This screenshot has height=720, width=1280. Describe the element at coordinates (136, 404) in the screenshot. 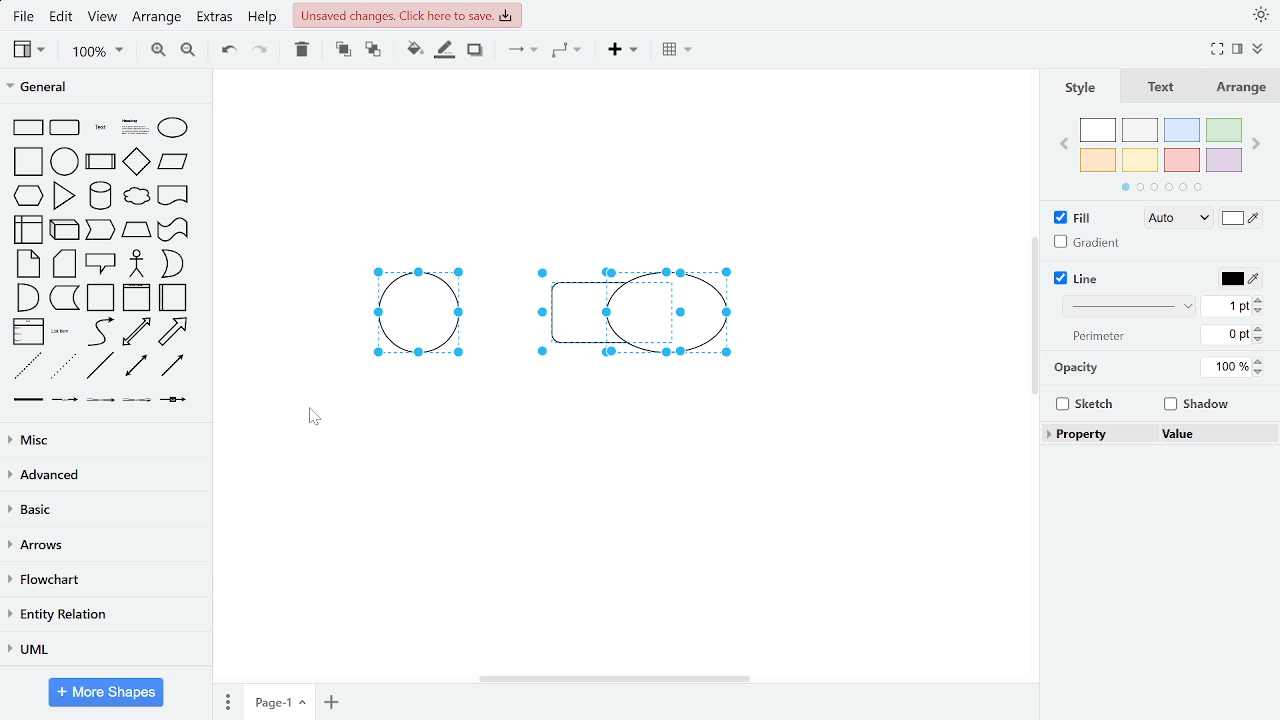

I see `Connector with 3 label` at that location.